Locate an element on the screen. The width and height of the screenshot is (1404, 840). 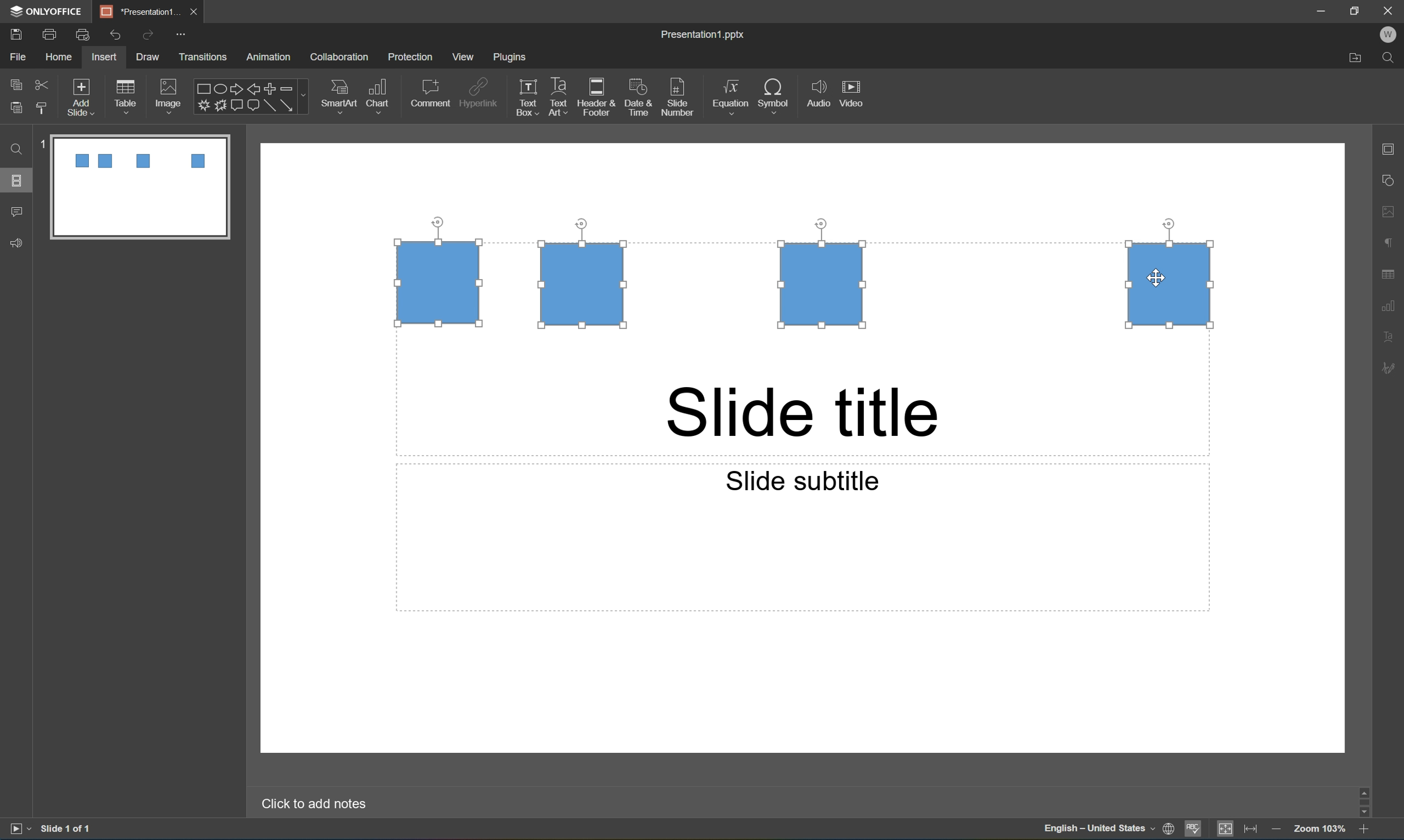
video is located at coordinates (855, 93).